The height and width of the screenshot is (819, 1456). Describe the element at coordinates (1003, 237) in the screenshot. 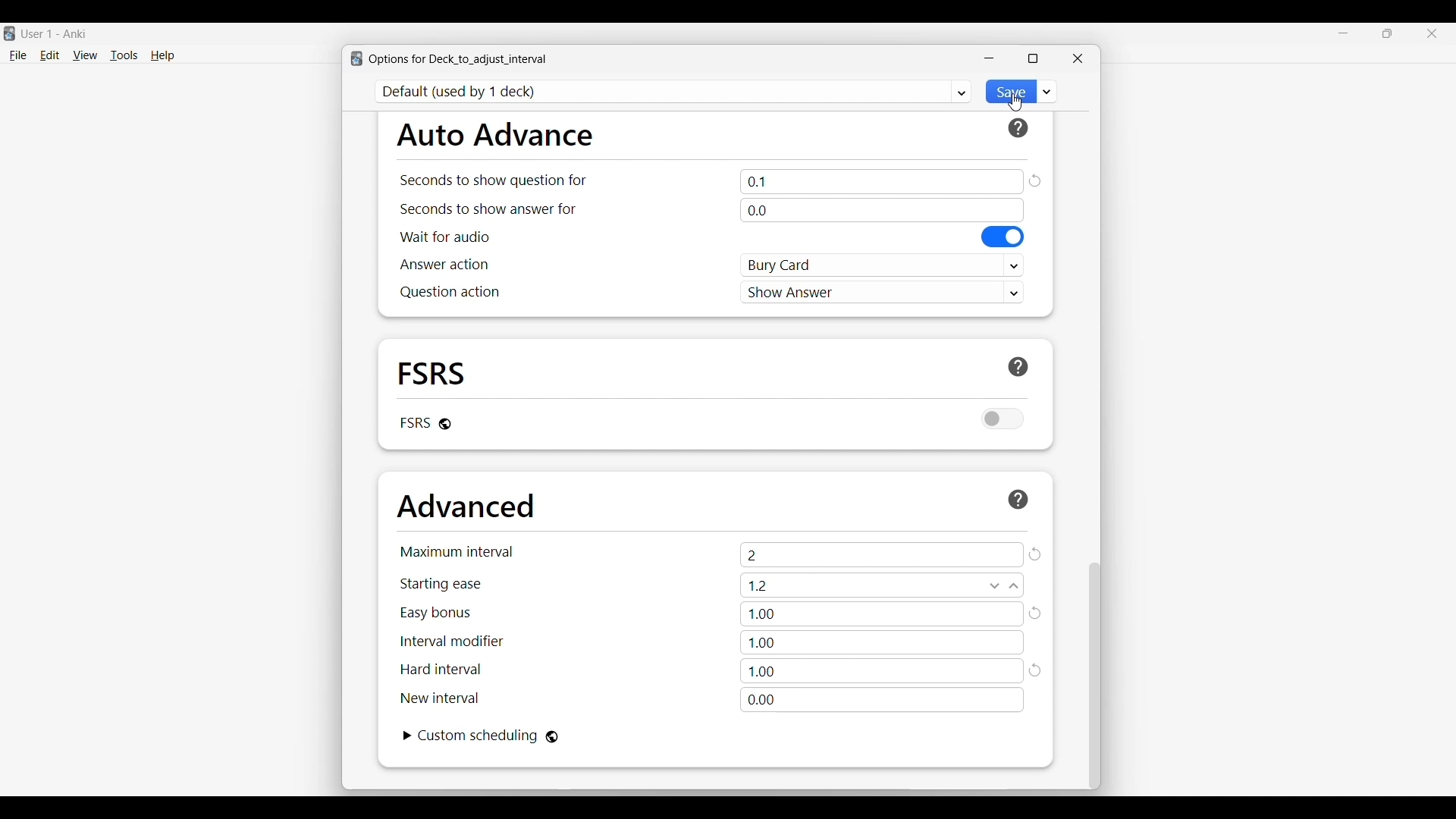

I see `Toggle to wait for audio` at that location.